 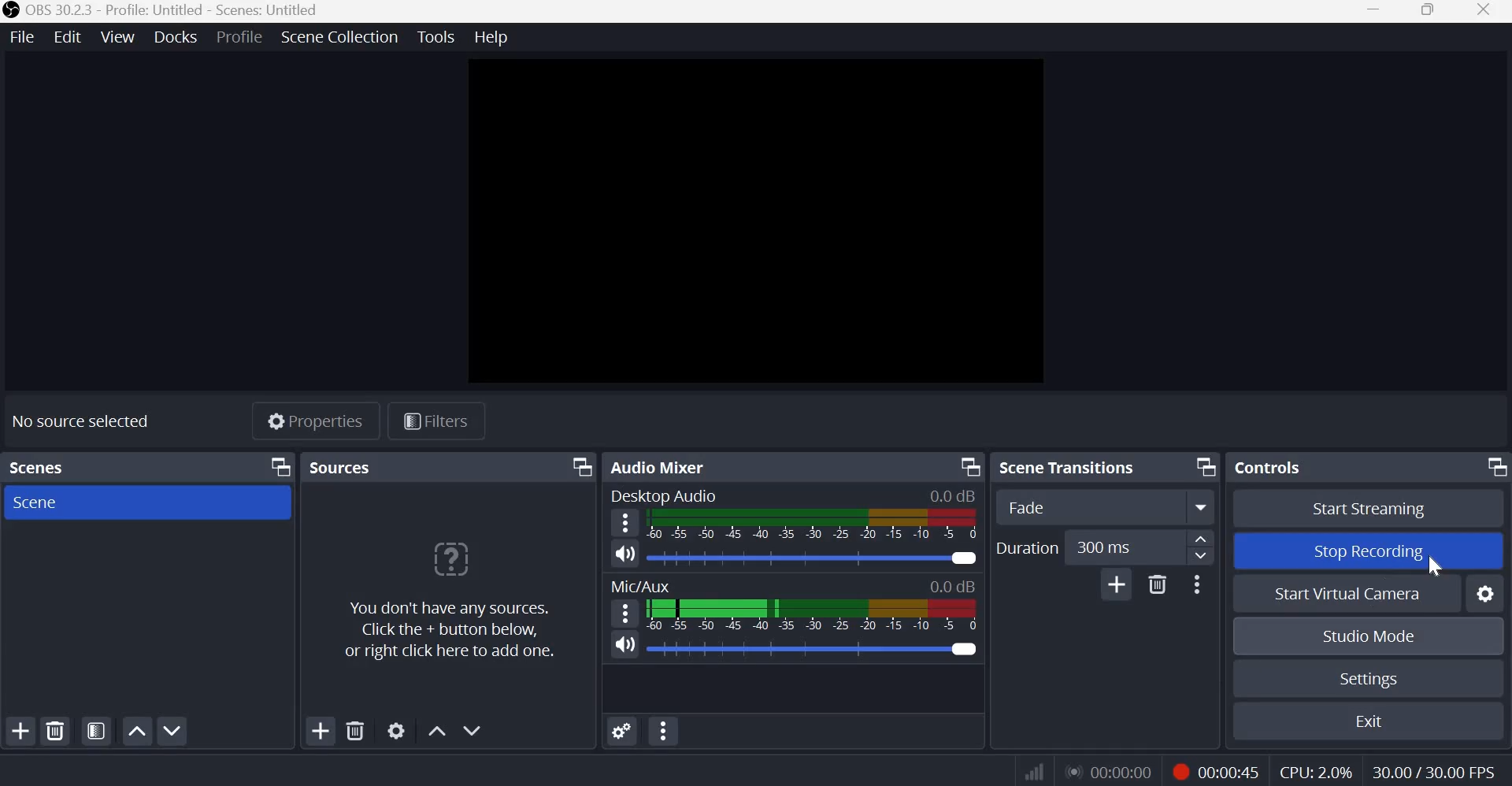 What do you see at coordinates (1203, 467) in the screenshot?
I see `Dock Options icon` at bounding box center [1203, 467].